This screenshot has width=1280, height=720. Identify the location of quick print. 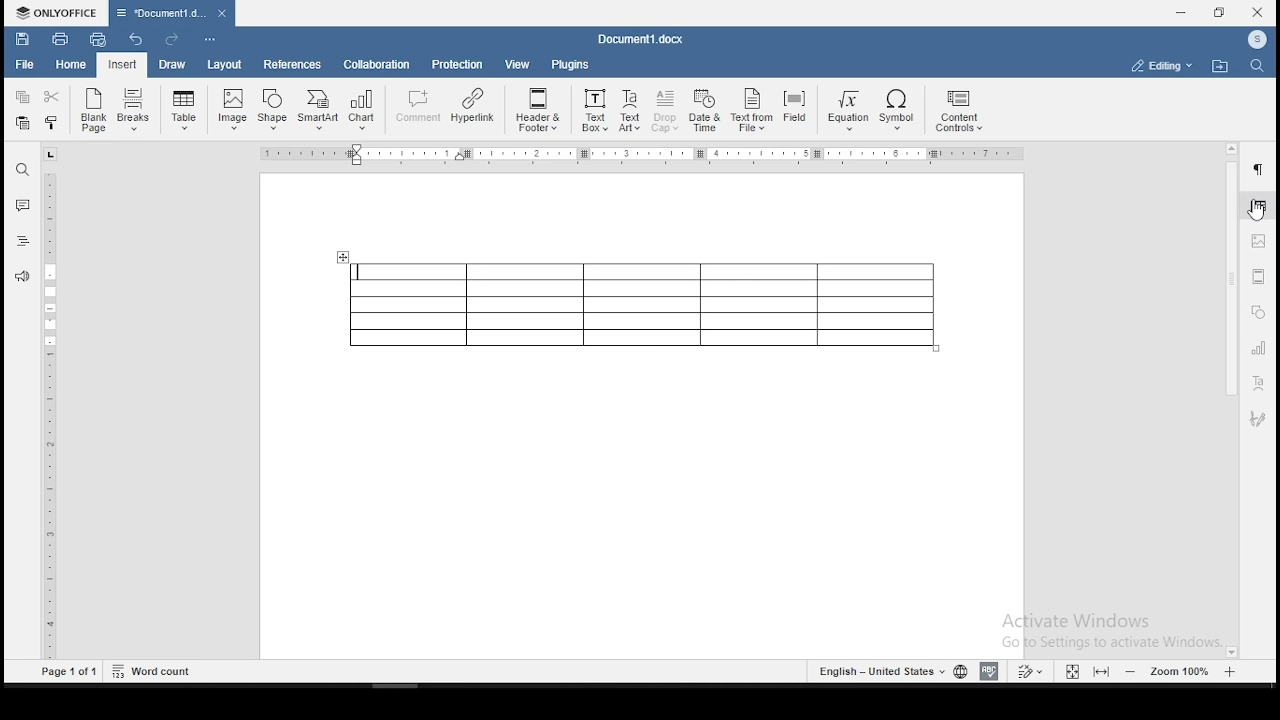
(98, 39).